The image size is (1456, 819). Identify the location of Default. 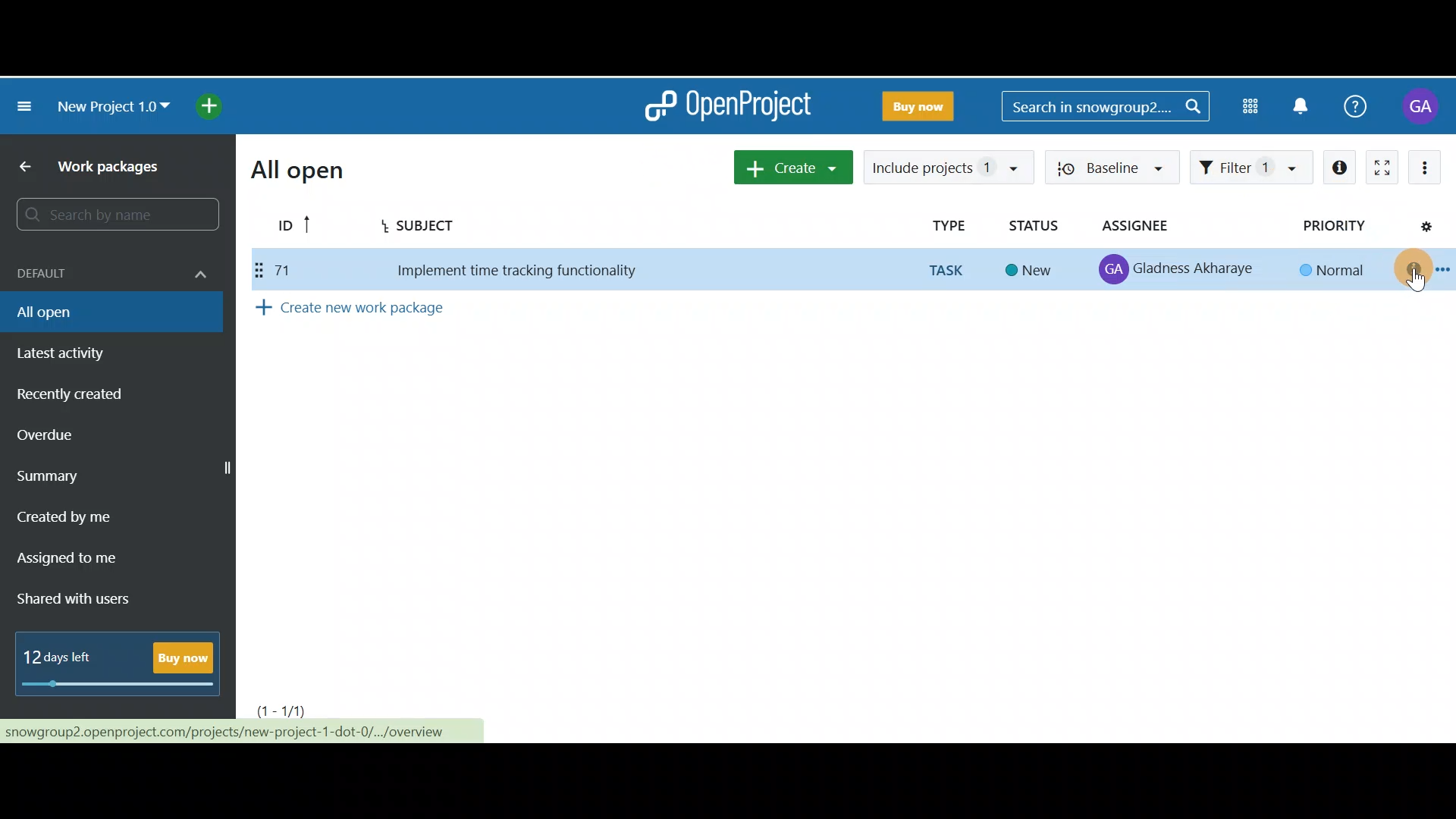
(109, 273).